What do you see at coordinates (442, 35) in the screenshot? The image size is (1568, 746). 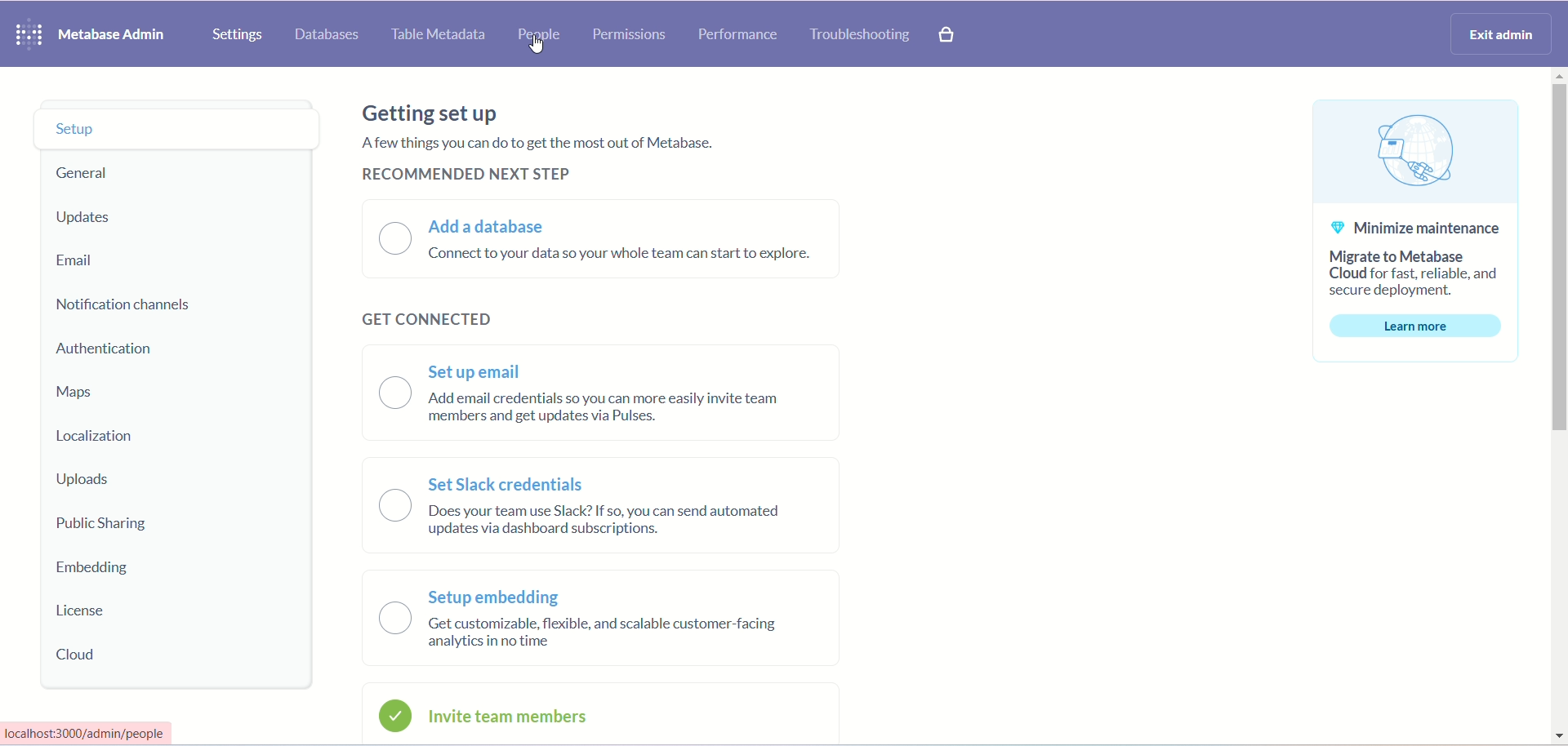 I see `table metadata` at bounding box center [442, 35].